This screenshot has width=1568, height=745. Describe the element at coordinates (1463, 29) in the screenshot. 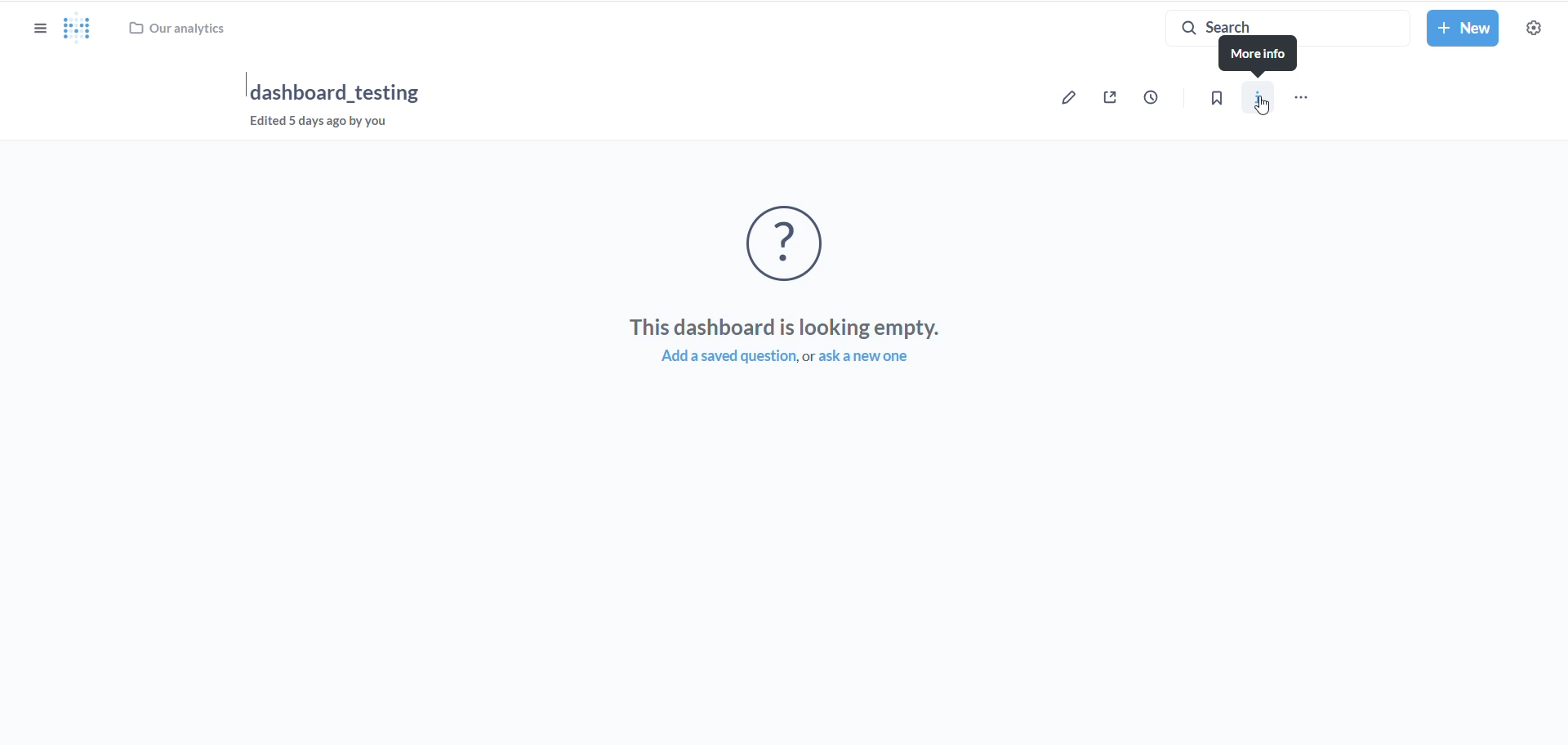

I see `new ` at that location.